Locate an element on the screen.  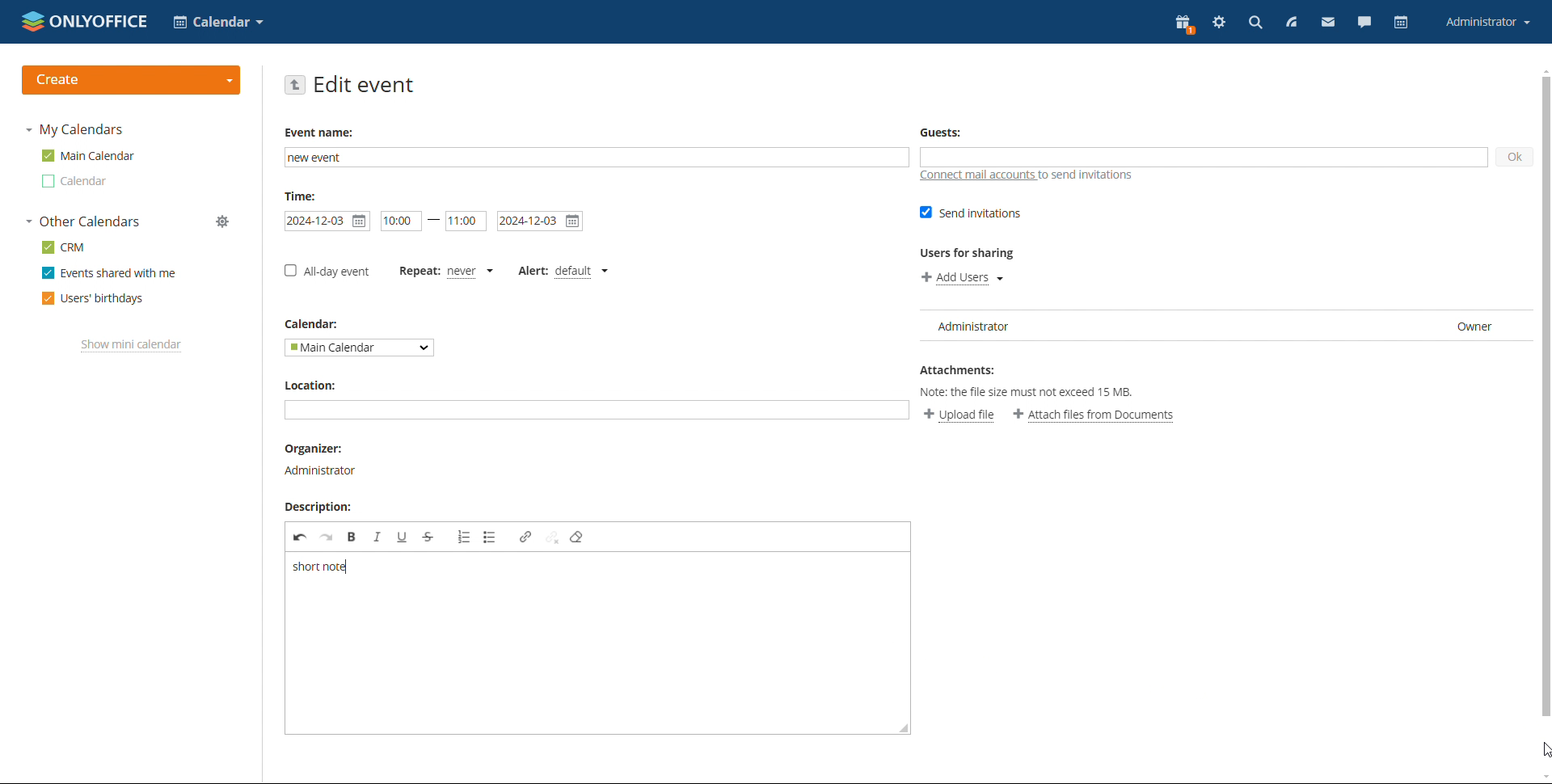
crm is located at coordinates (64, 247).